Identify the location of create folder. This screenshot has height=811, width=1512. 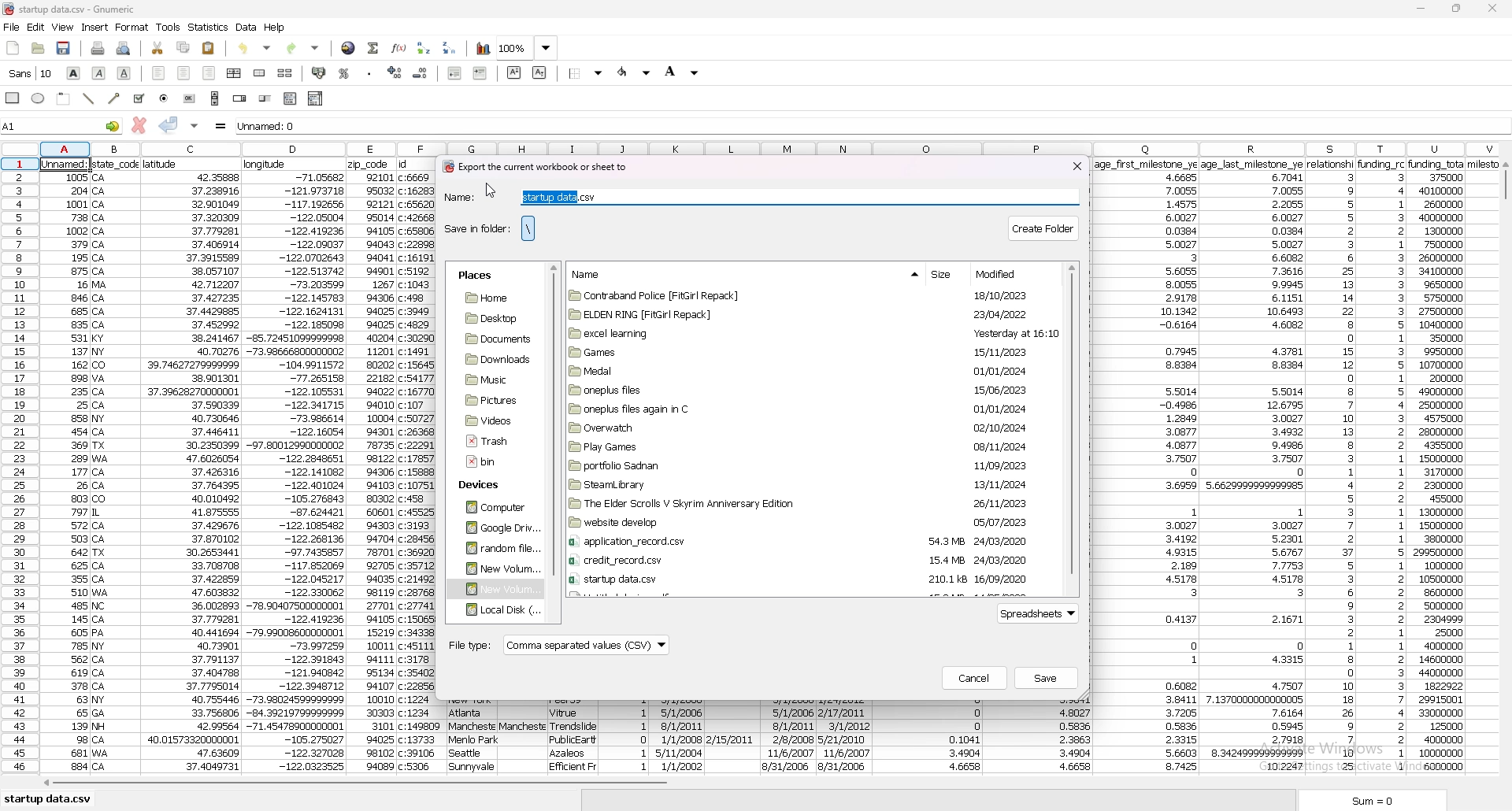
(1045, 227).